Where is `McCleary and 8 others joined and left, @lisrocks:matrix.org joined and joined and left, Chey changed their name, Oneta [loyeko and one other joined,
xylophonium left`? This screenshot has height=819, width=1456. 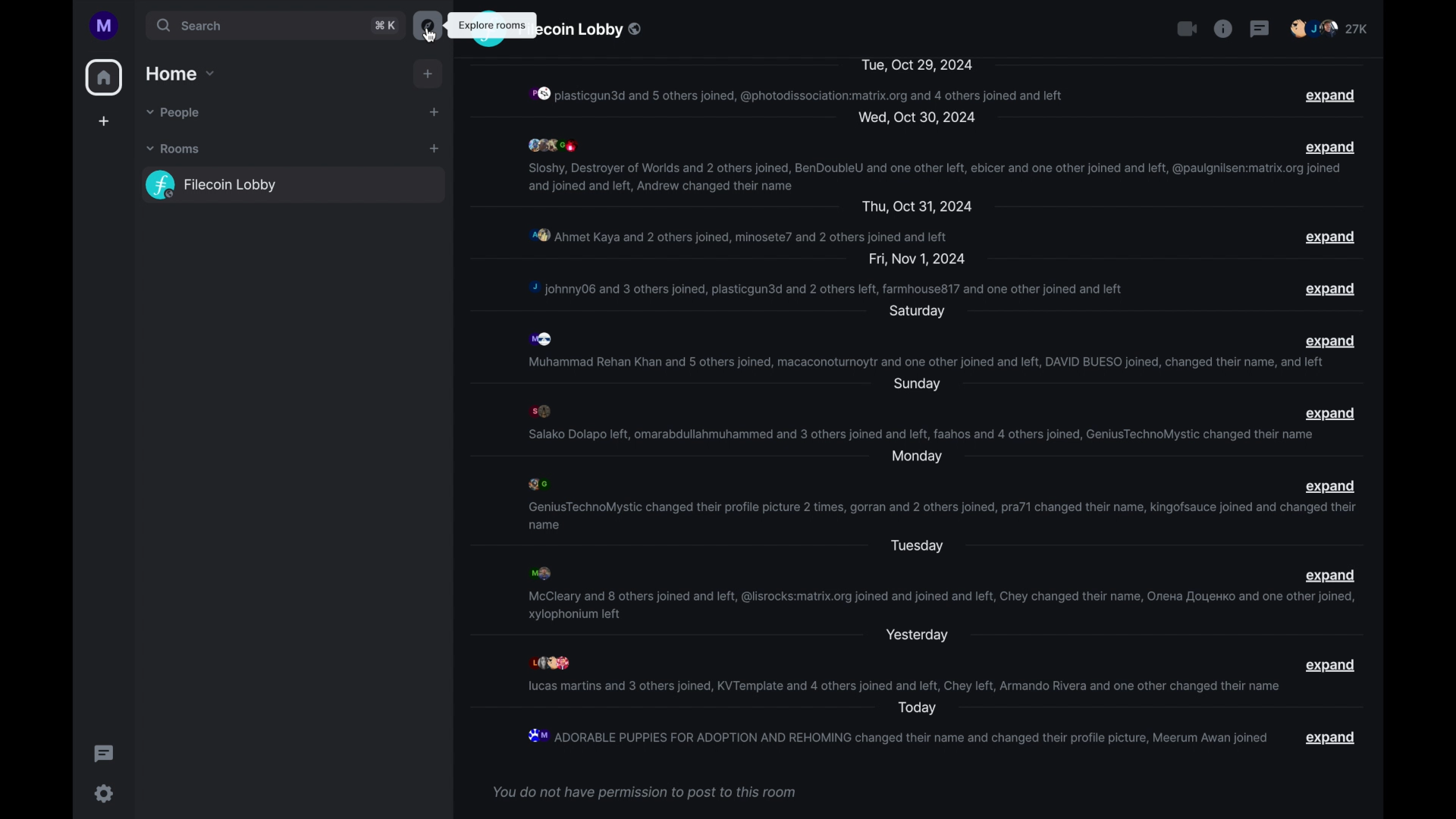 McCleary and 8 others joined and left, @lisrocks:matrix.org joined and joined and left, Chey changed their name, Oneta [loyeko and one other joined,
xylophonium left is located at coordinates (941, 605).